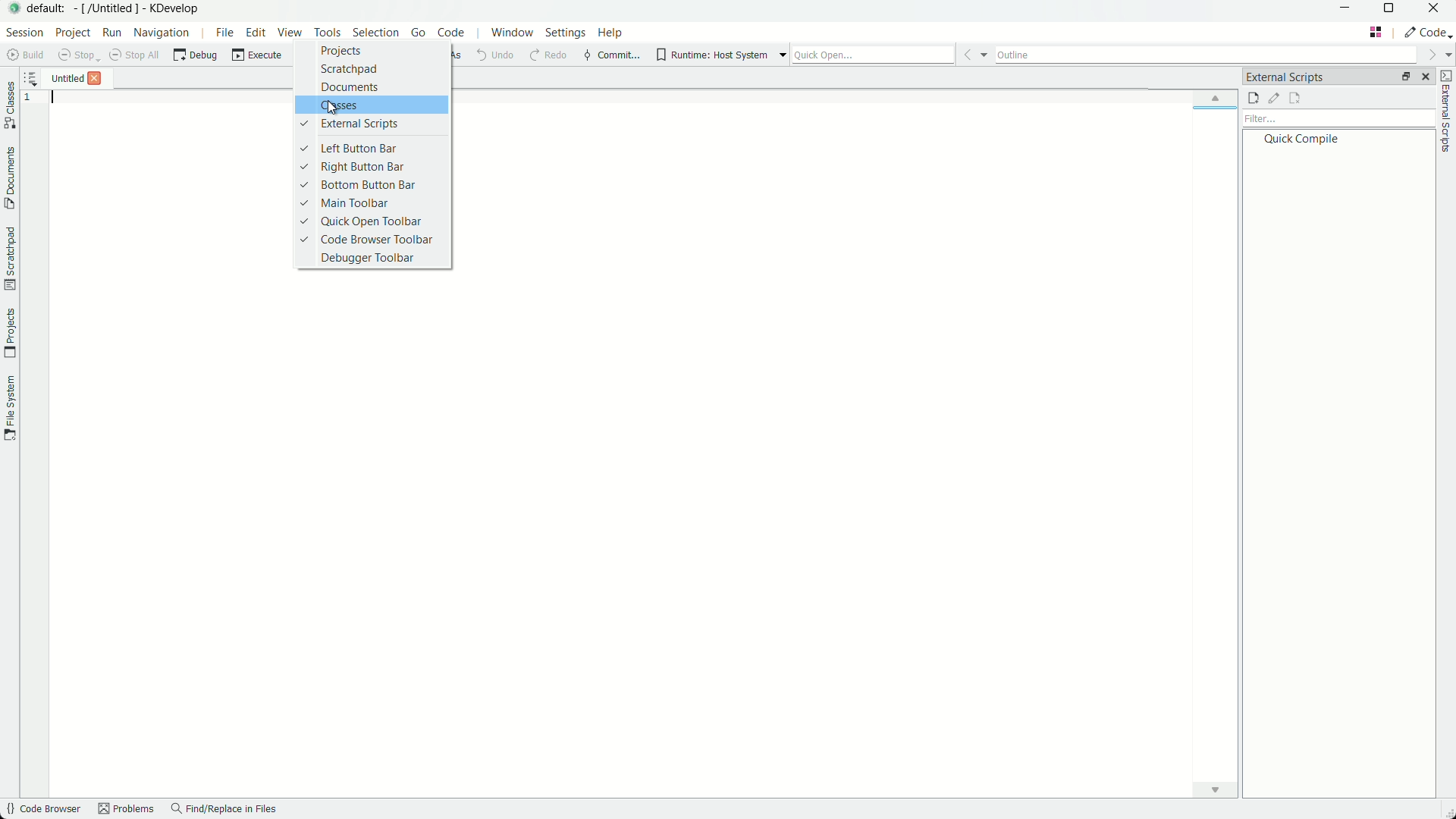 The image size is (1456, 819). Describe the element at coordinates (372, 86) in the screenshot. I see `documents` at that location.